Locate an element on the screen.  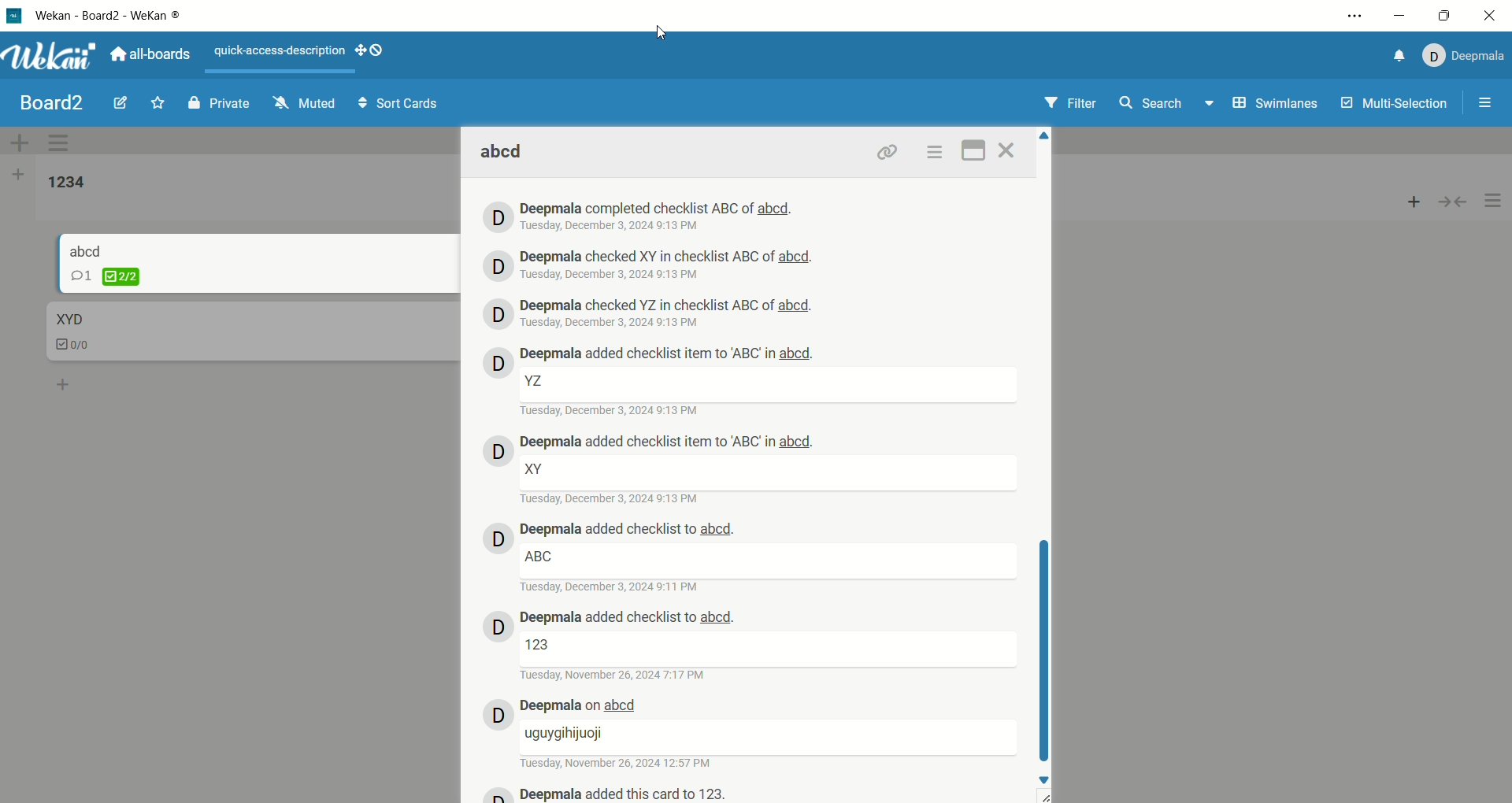
card title is located at coordinates (87, 250).